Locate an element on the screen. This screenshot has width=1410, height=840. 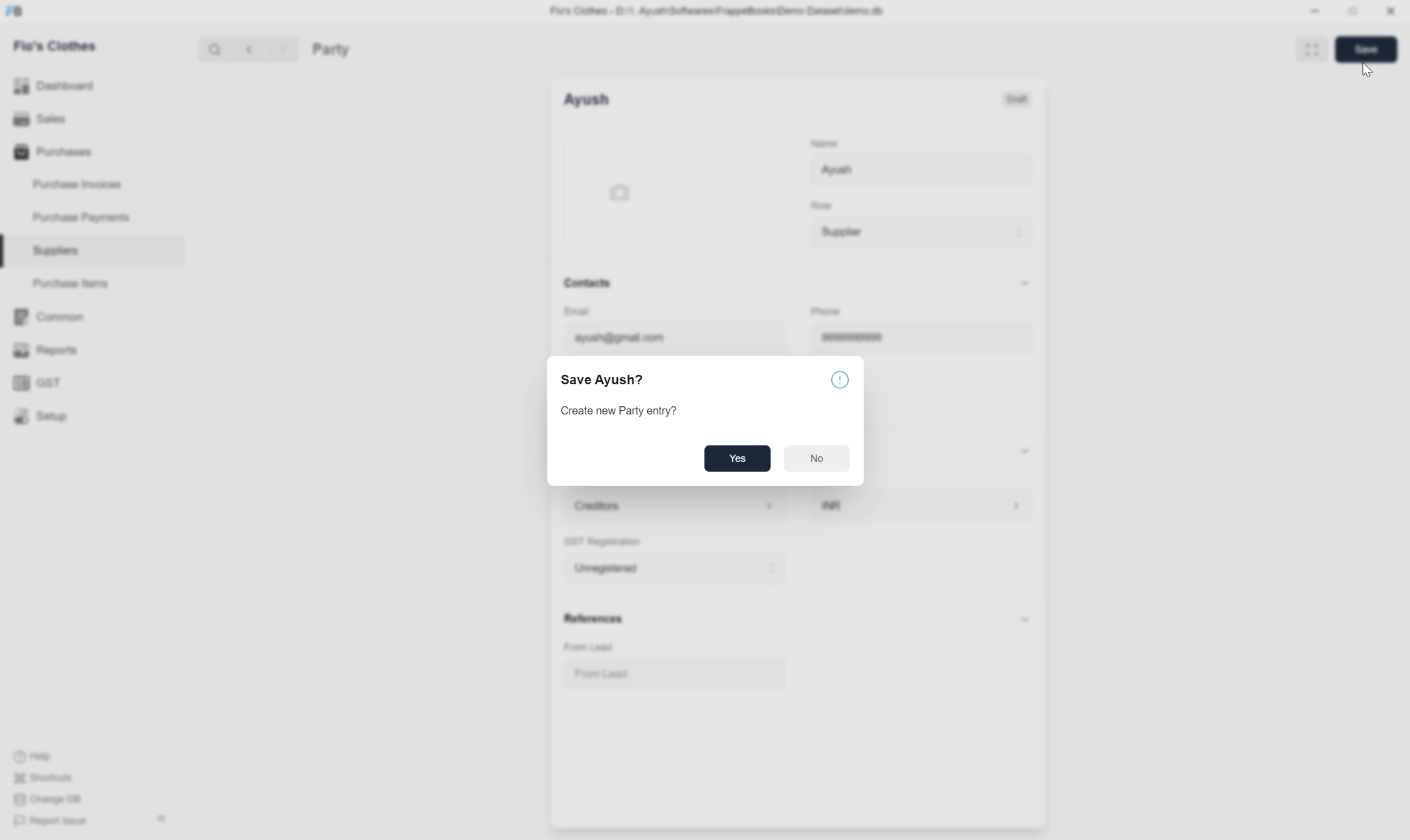
Save is located at coordinates (1366, 49).